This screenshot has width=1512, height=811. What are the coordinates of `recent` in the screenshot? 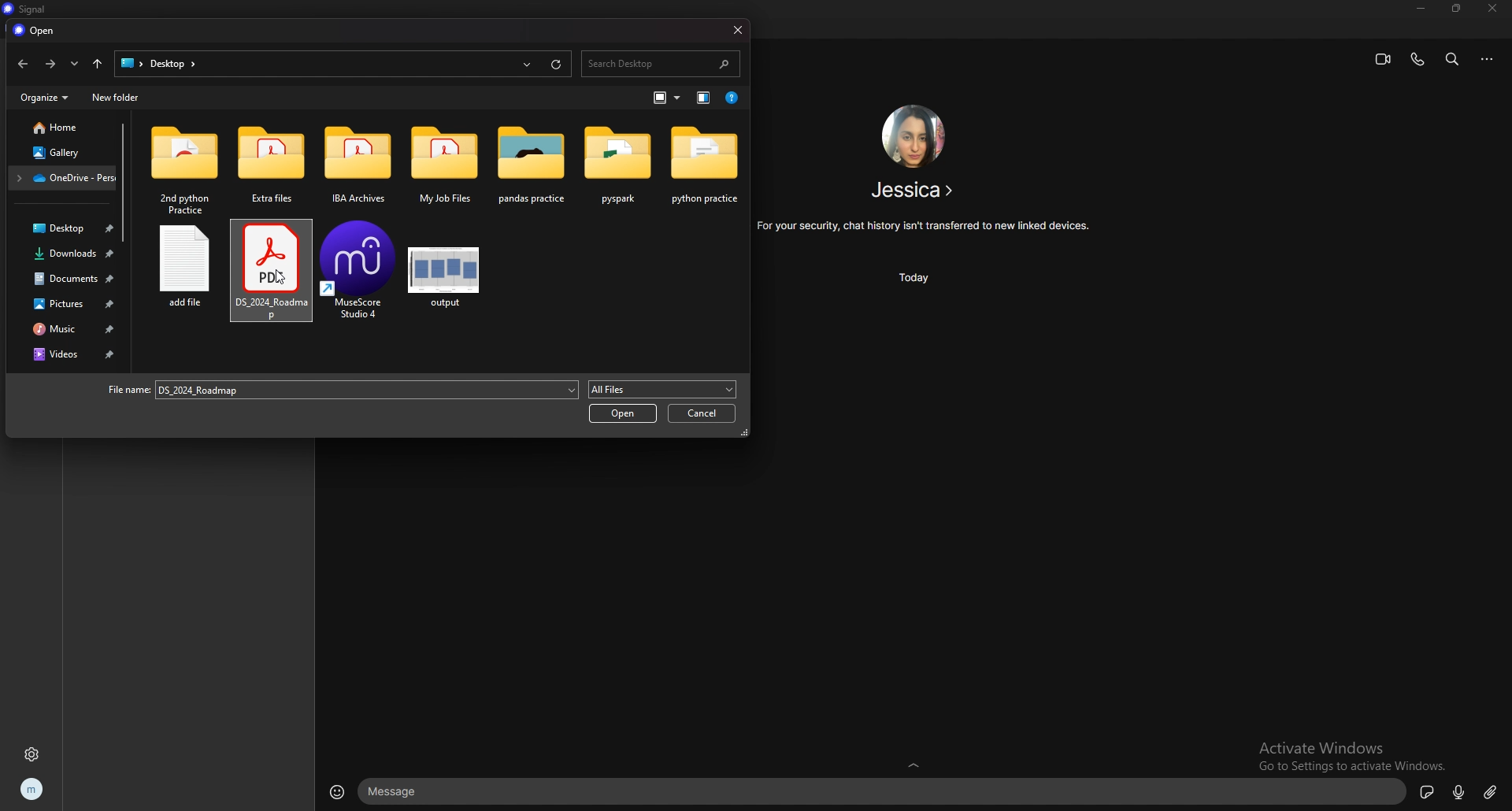 It's located at (528, 63).